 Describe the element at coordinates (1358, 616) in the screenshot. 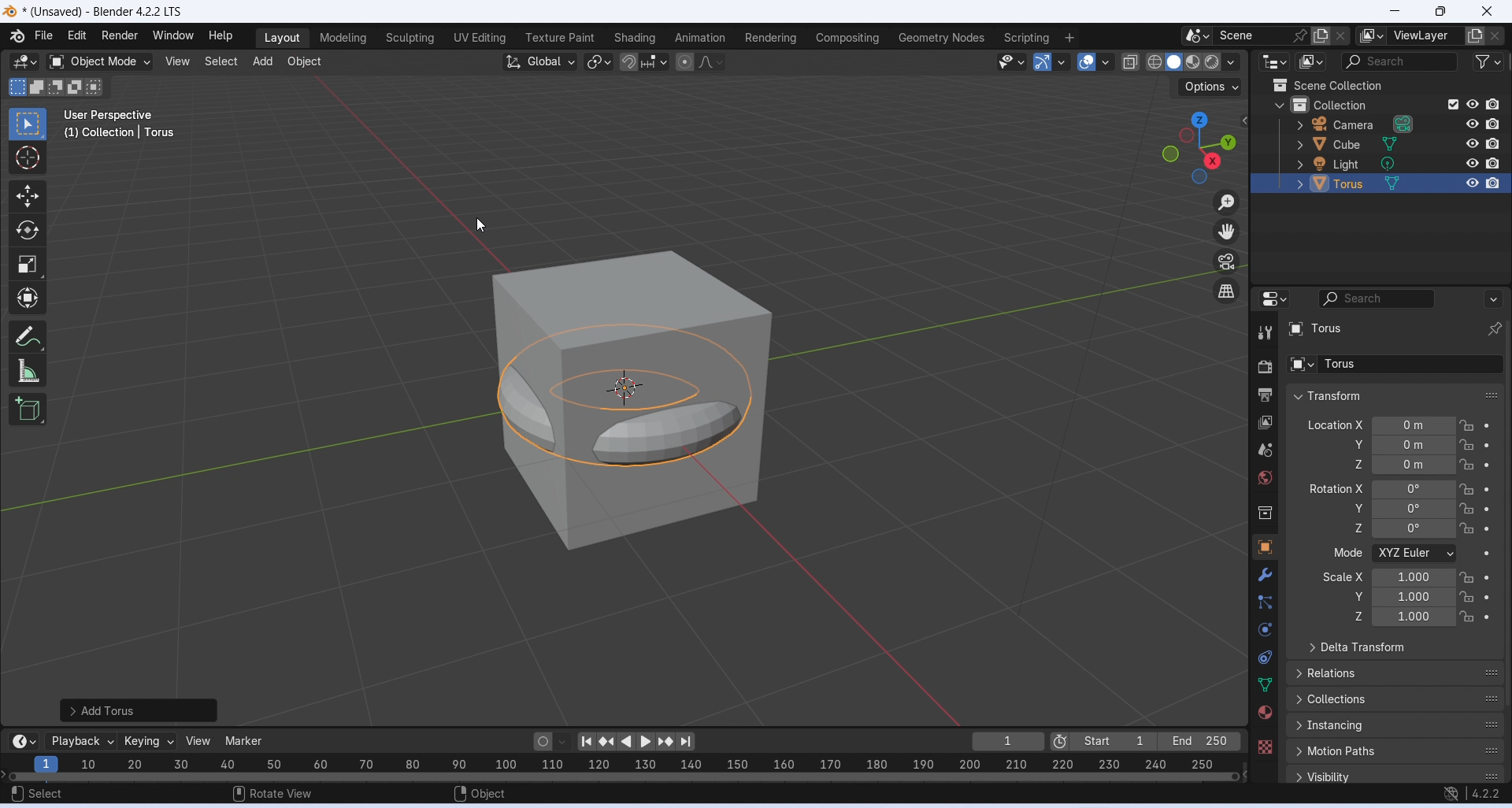

I see `Scale  Z` at that location.